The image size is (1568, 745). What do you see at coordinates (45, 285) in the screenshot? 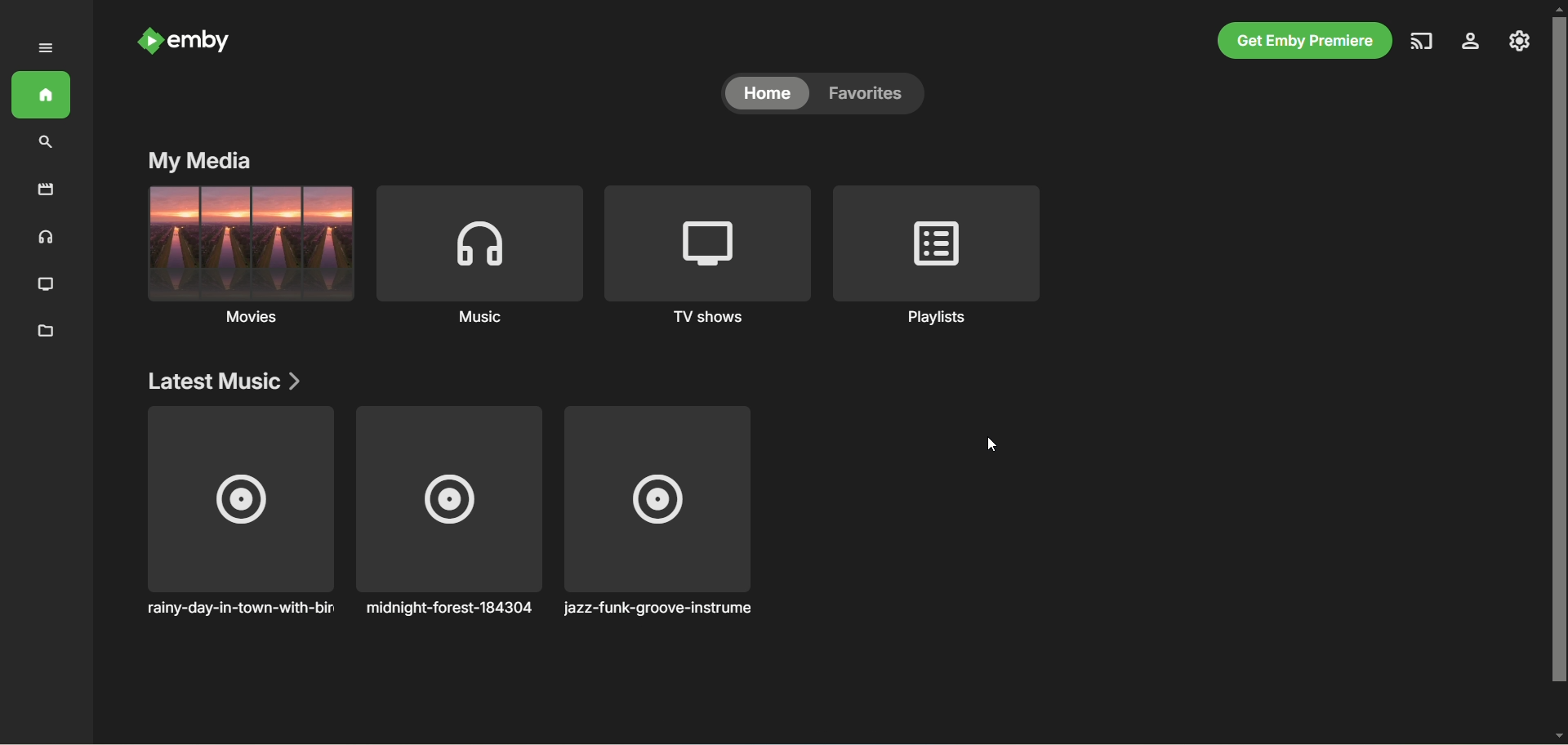
I see `TV shows` at bounding box center [45, 285].